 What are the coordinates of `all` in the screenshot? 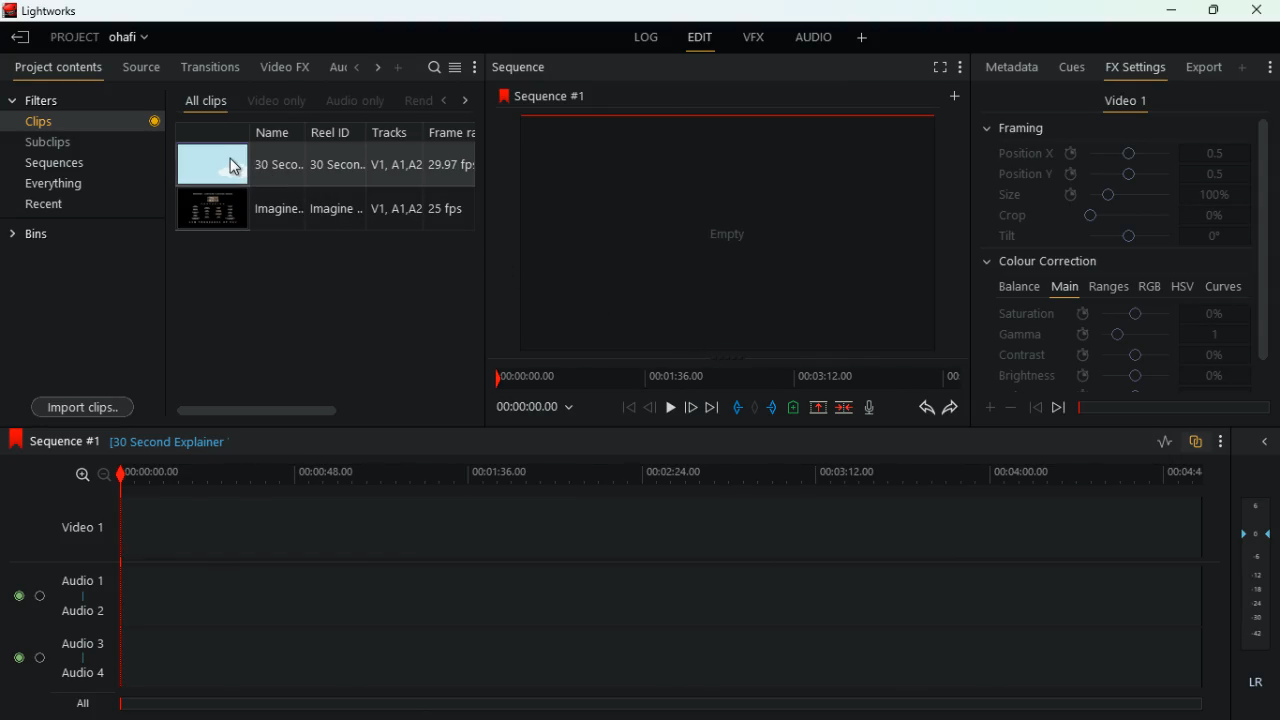 It's located at (90, 703).